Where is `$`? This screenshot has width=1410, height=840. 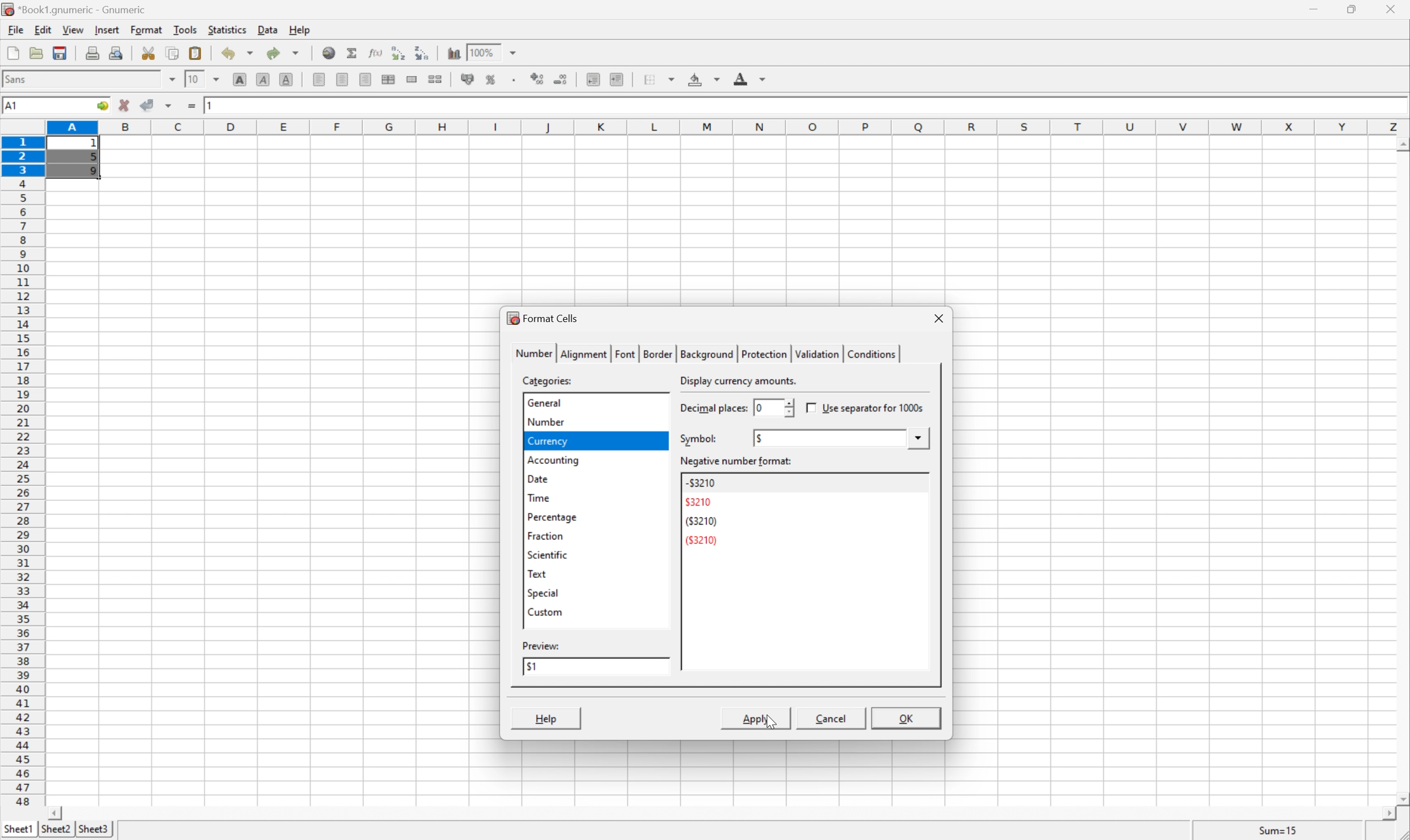 $ is located at coordinates (760, 438).